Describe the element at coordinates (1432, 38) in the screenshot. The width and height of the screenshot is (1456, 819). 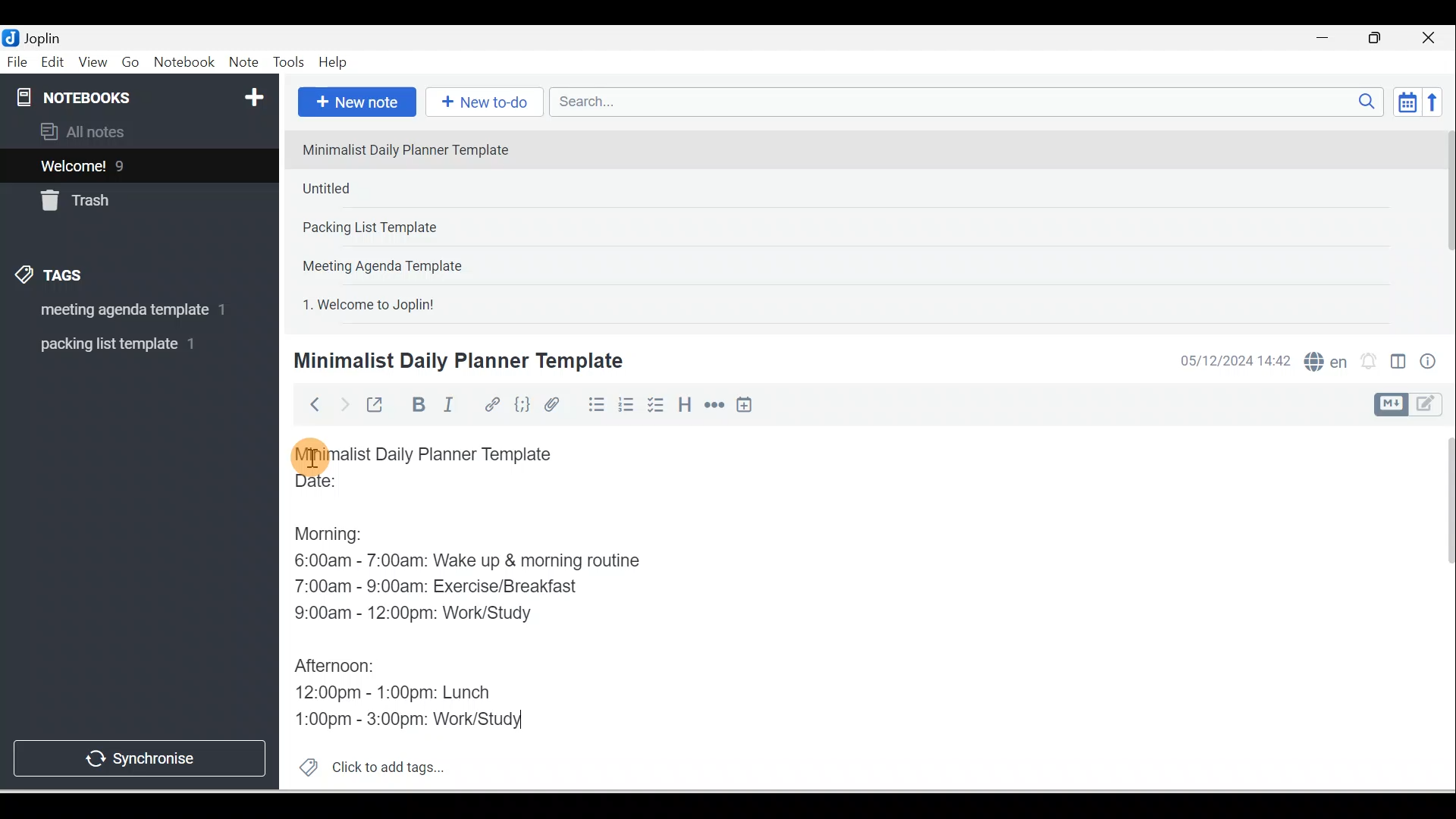
I see `Close` at that location.